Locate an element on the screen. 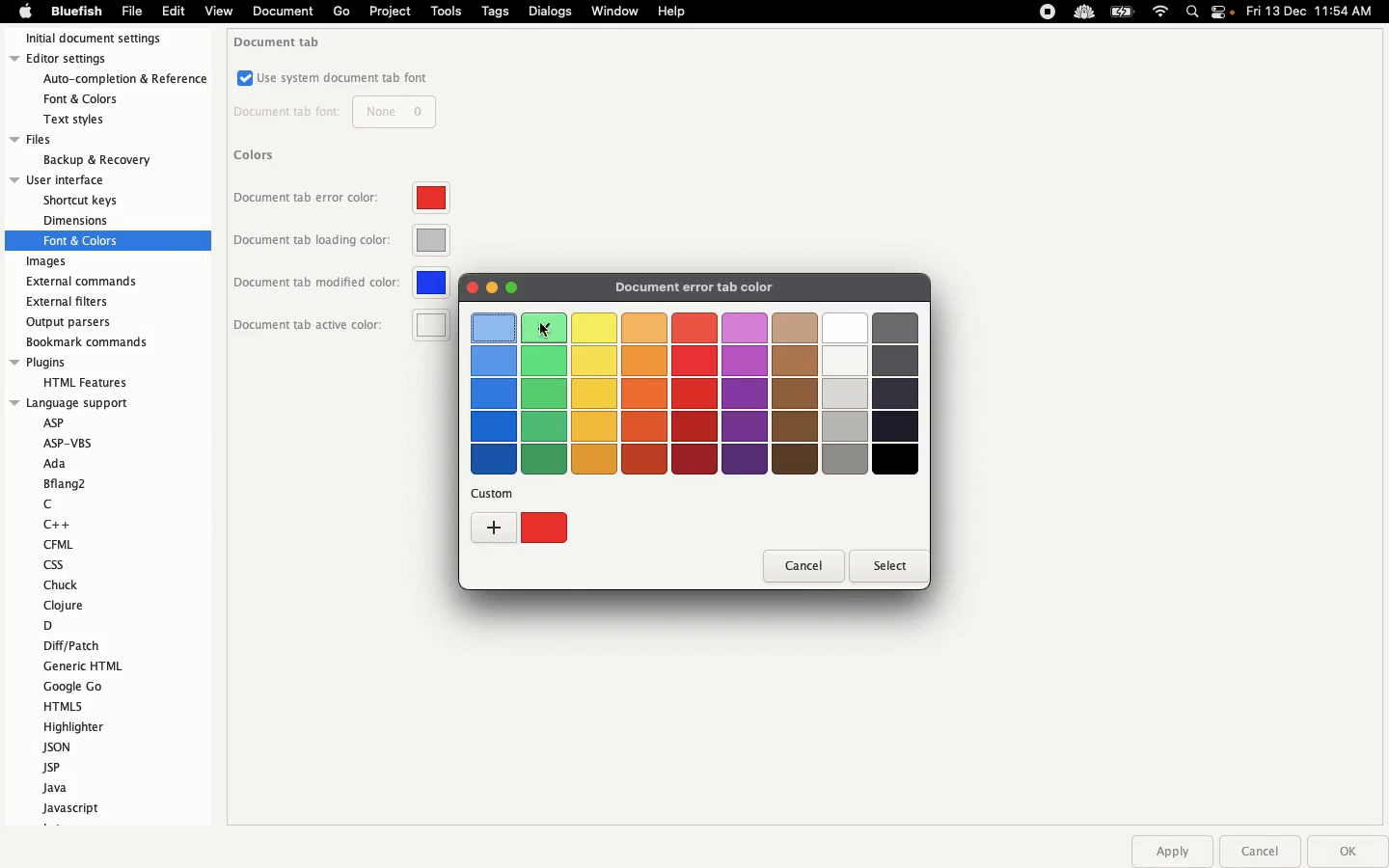 The image size is (1389, 868). Document tab is located at coordinates (280, 42).